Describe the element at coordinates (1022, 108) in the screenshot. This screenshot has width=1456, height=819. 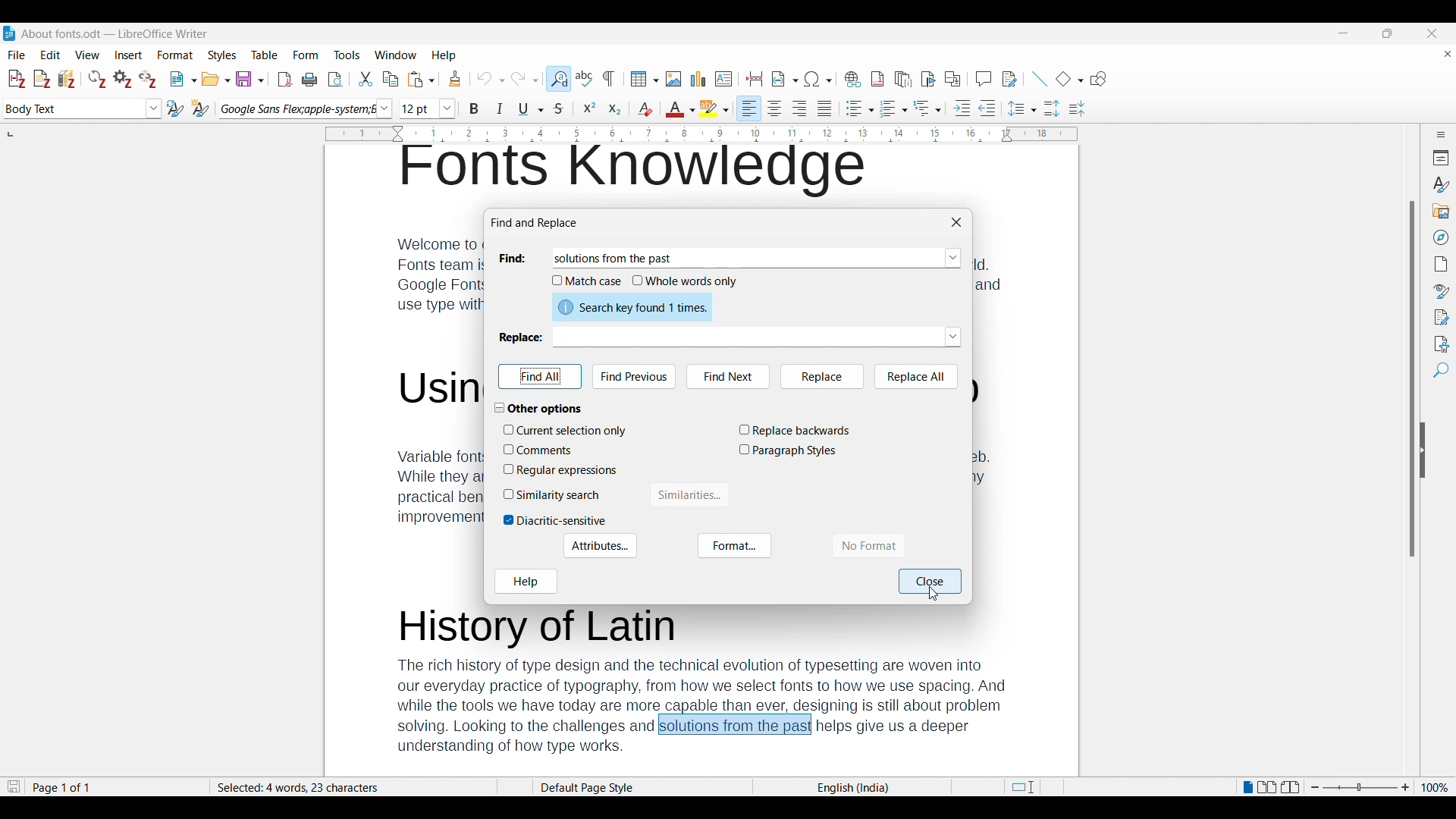
I see `Set line spacing` at that location.